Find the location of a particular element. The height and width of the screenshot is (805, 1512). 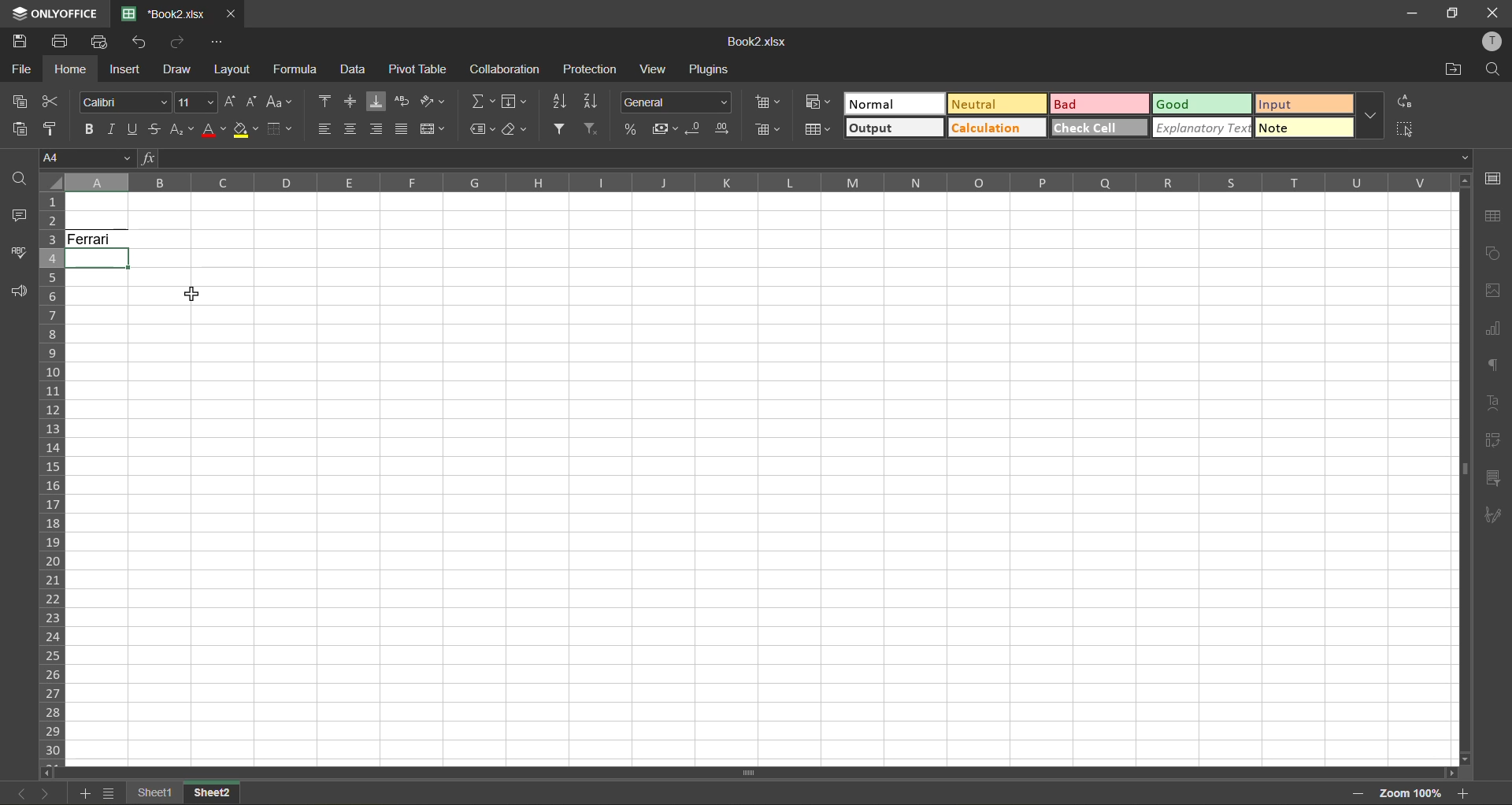

increase decimal is located at coordinates (720, 128).